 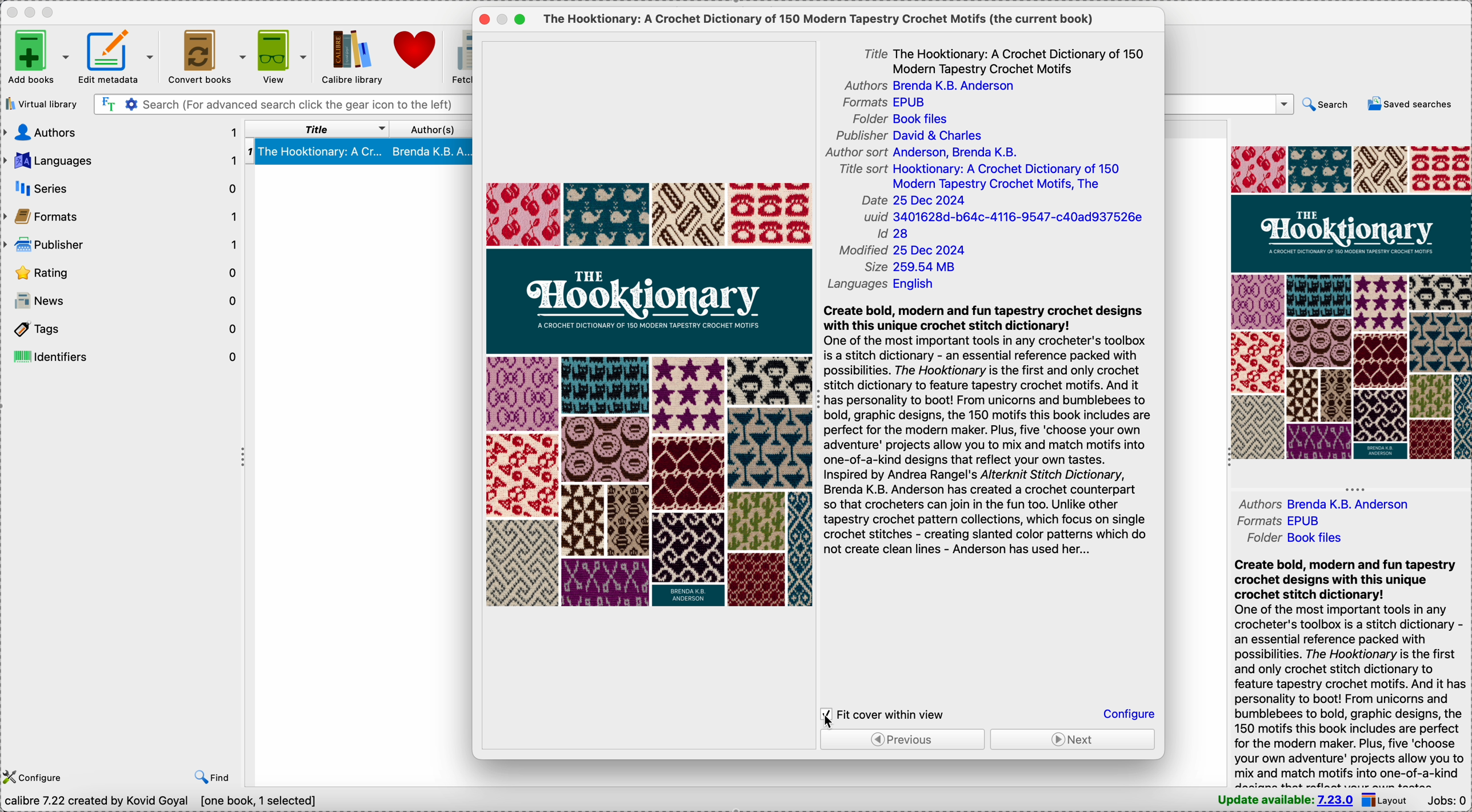 I want to click on configure, so click(x=37, y=776).